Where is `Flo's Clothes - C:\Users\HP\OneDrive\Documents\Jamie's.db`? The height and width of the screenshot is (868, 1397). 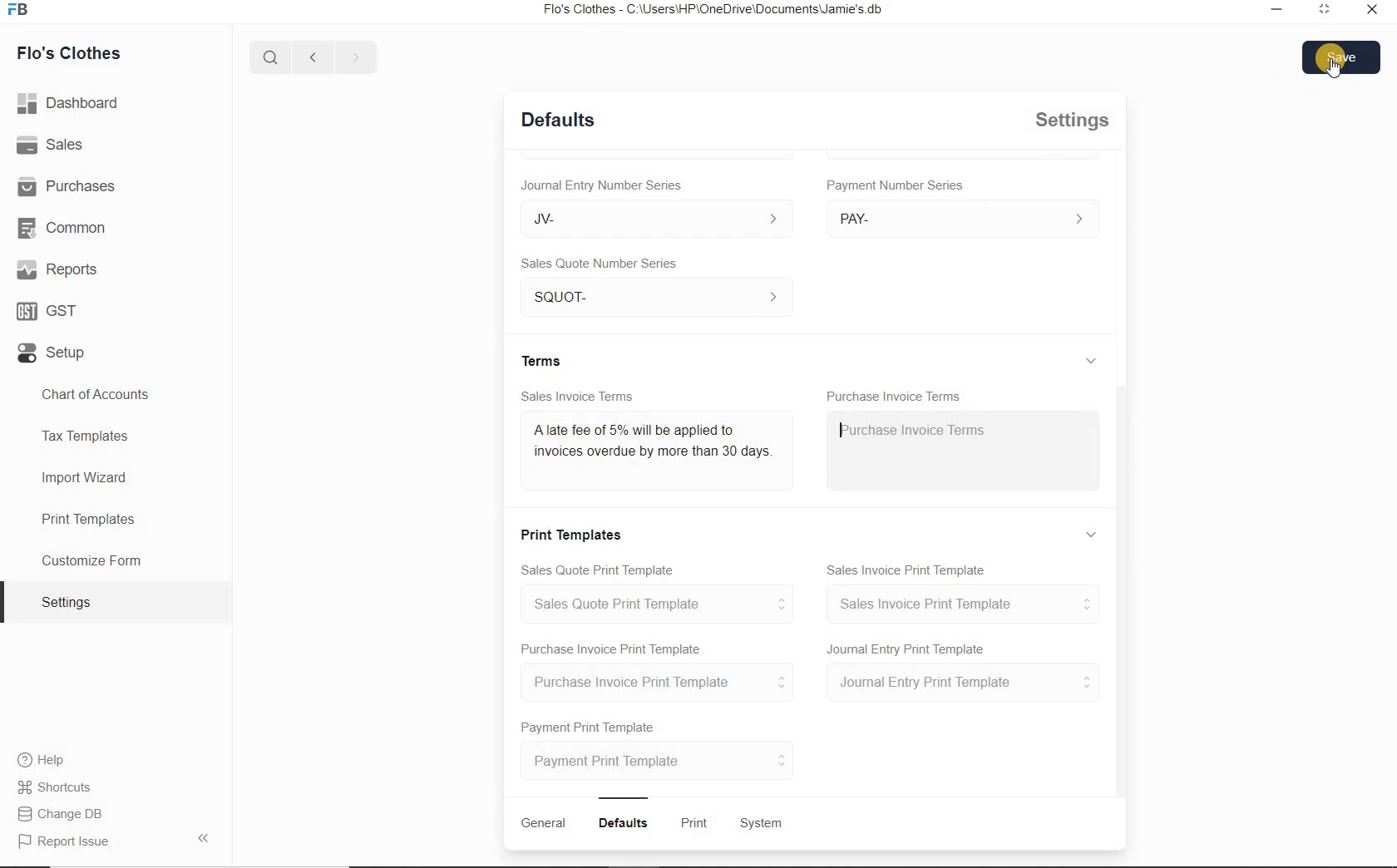 Flo's Clothes - C:\Users\HP\OneDrive\Documents\Jamie's.db is located at coordinates (718, 11).